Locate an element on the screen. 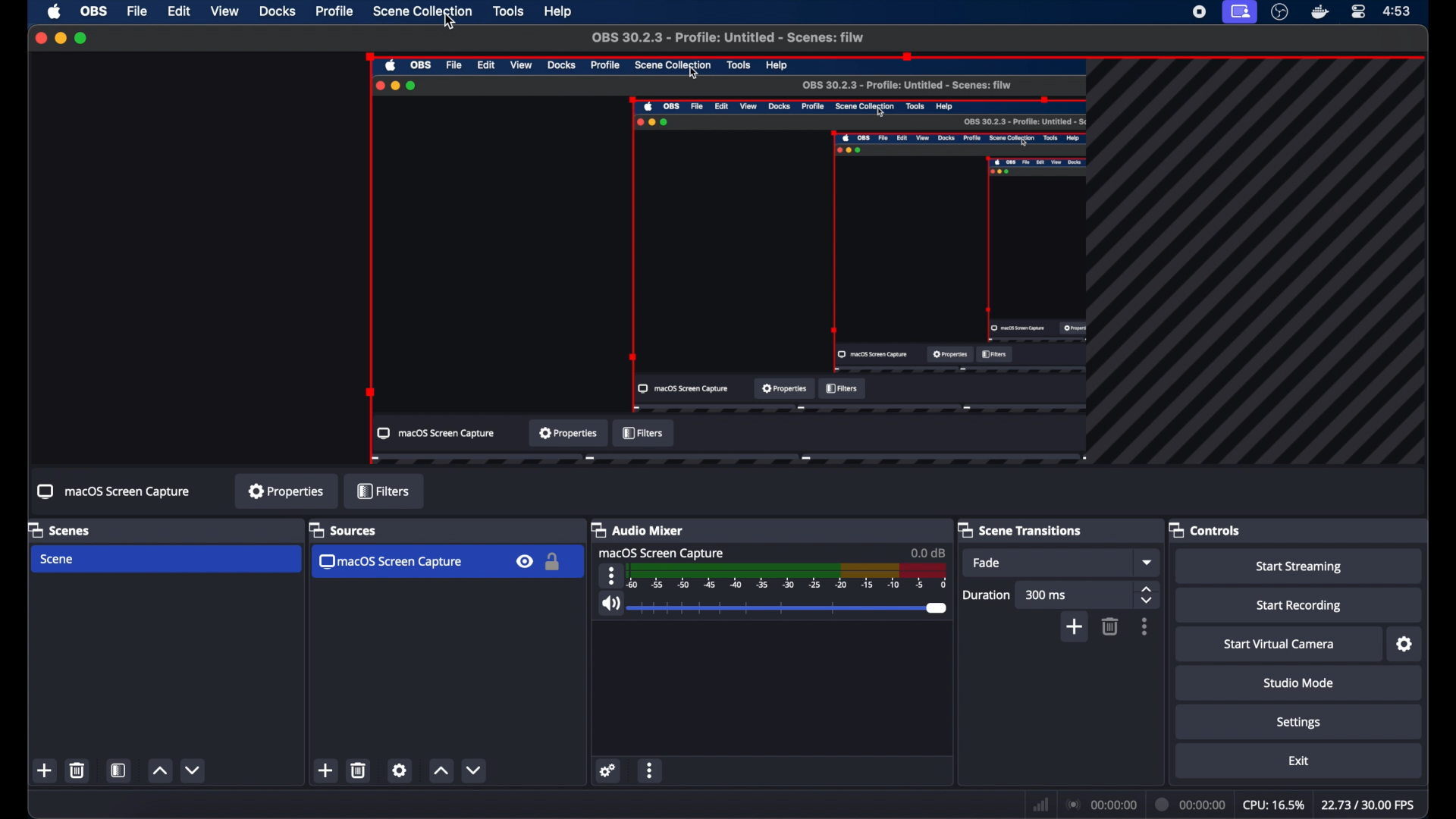  scene transitions is located at coordinates (1021, 529).